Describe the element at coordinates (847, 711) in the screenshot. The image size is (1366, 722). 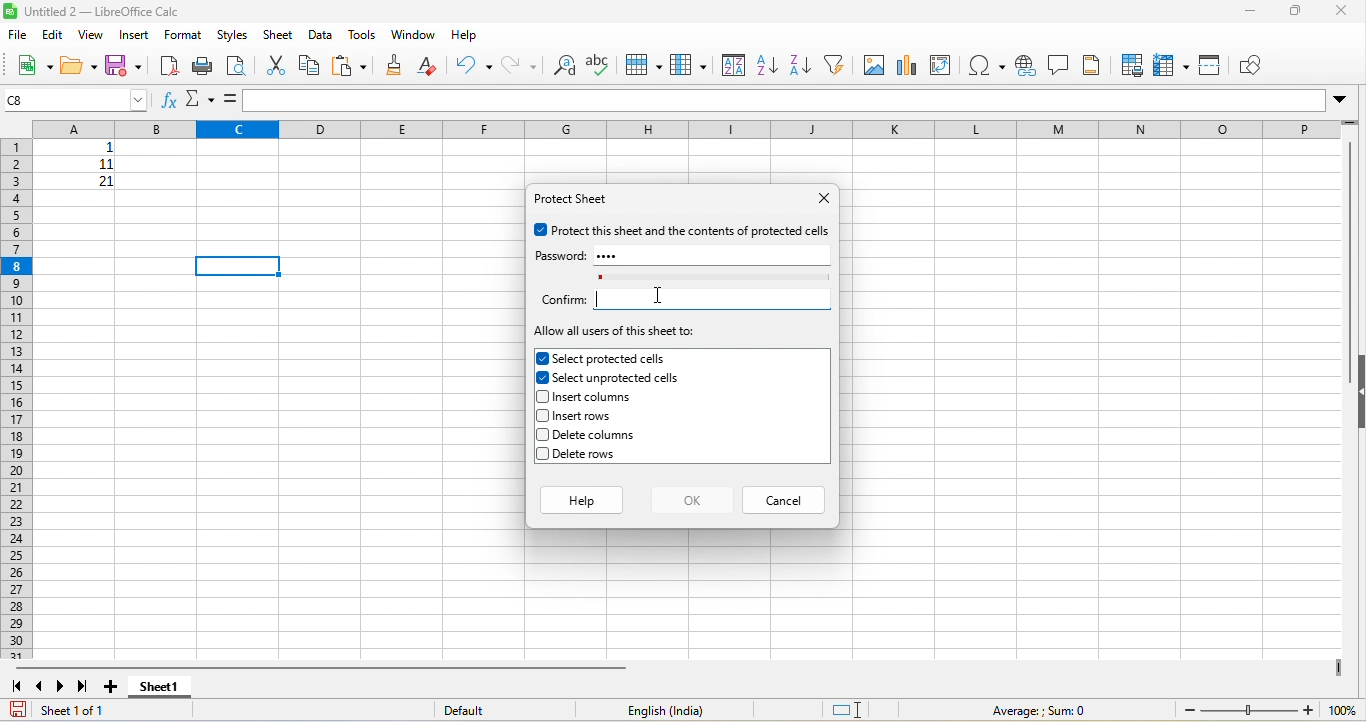
I see `standard selection` at that location.